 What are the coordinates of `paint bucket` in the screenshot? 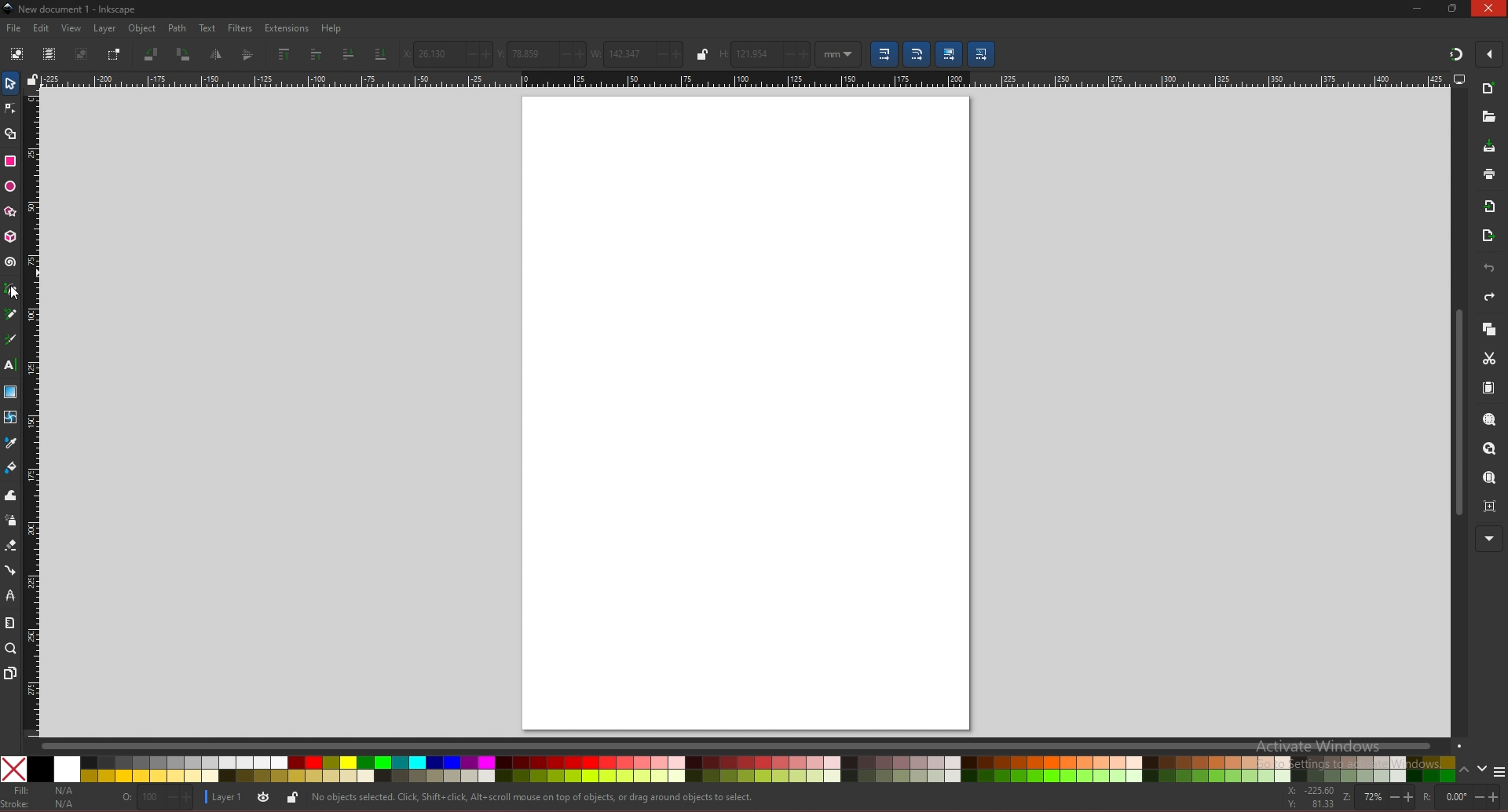 It's located at (11, 466).